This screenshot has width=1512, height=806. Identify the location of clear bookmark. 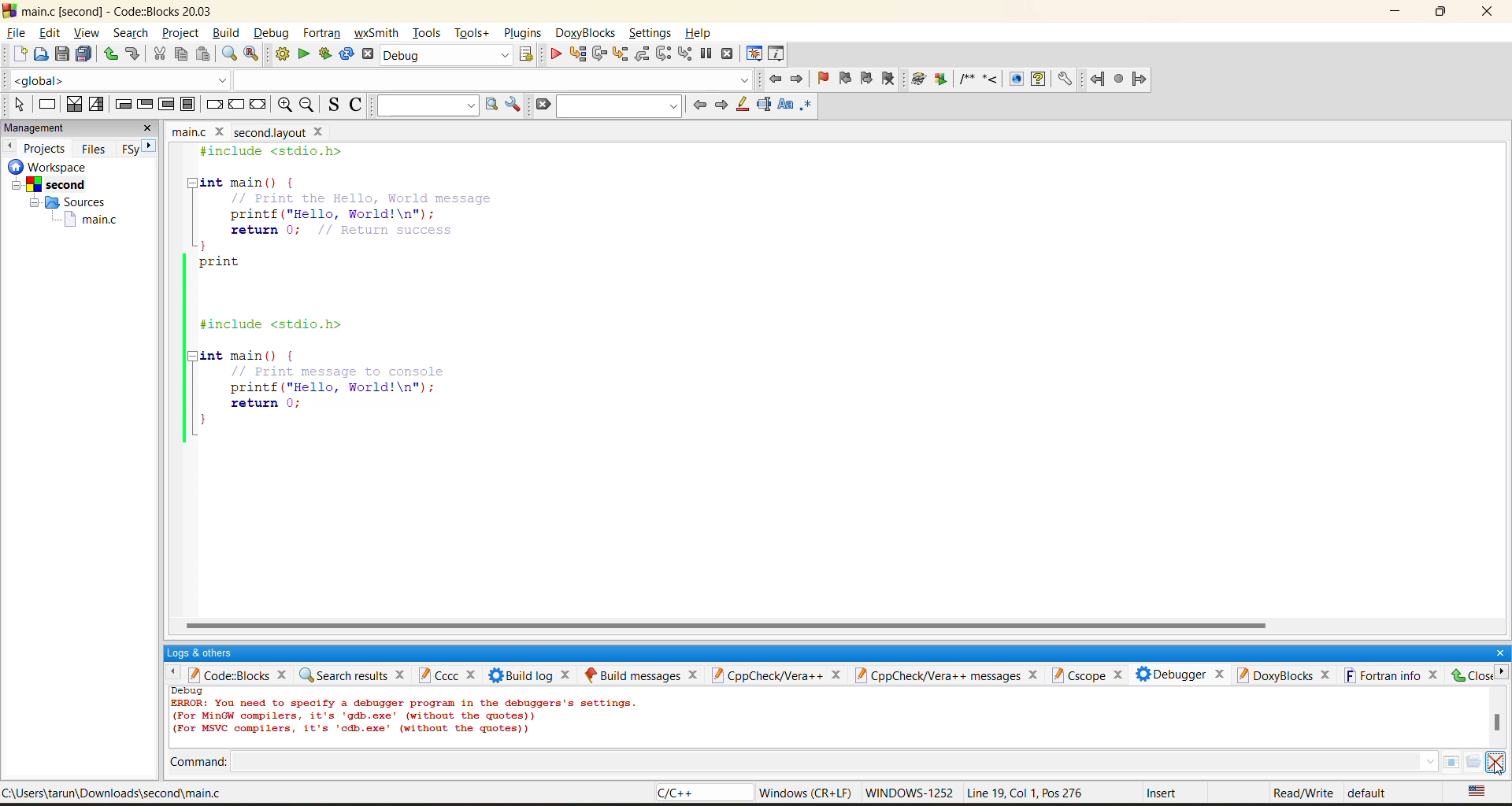
(891, 82).